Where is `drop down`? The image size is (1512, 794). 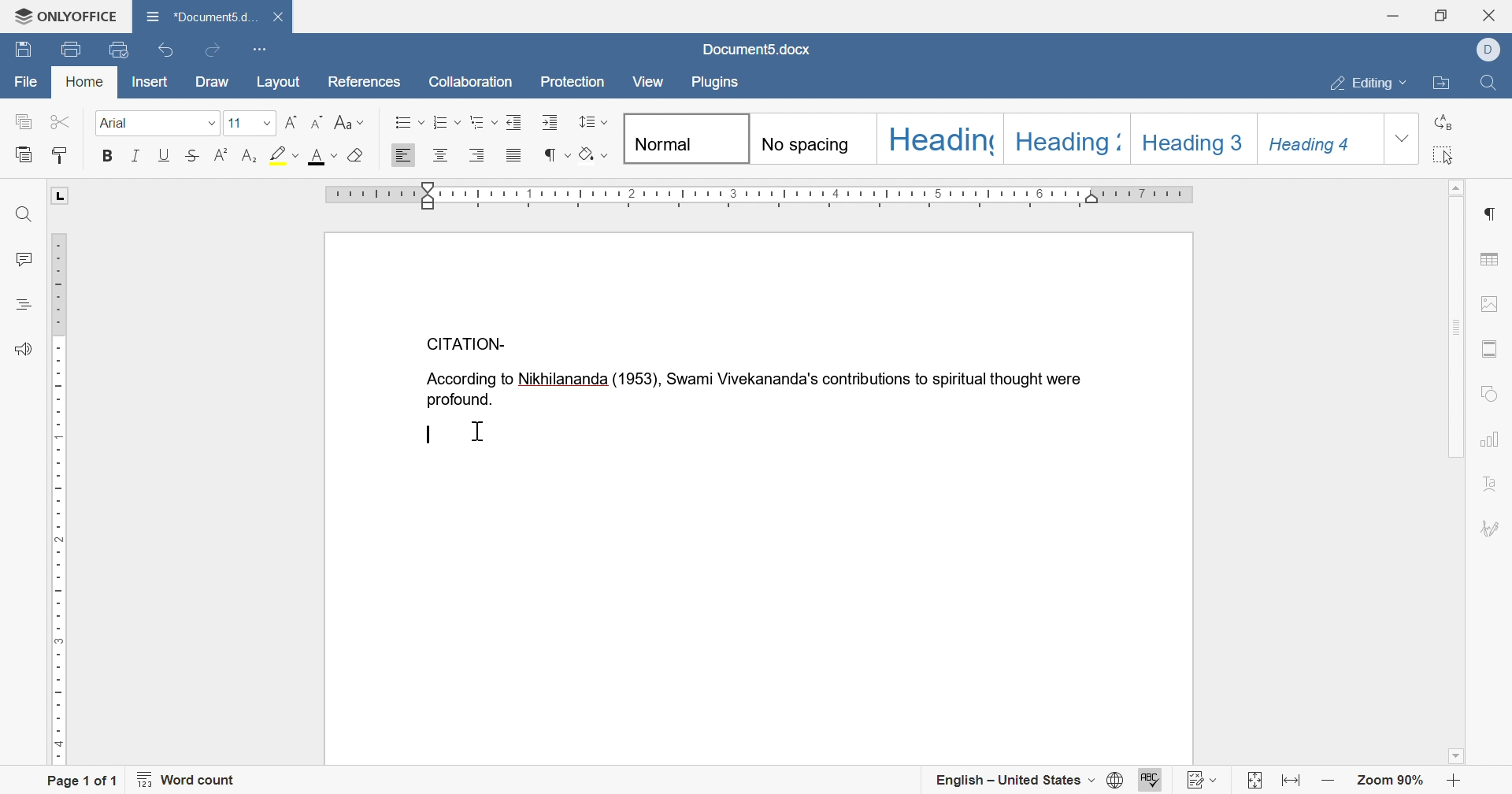
drop down is located at coordinates (1406, 138).